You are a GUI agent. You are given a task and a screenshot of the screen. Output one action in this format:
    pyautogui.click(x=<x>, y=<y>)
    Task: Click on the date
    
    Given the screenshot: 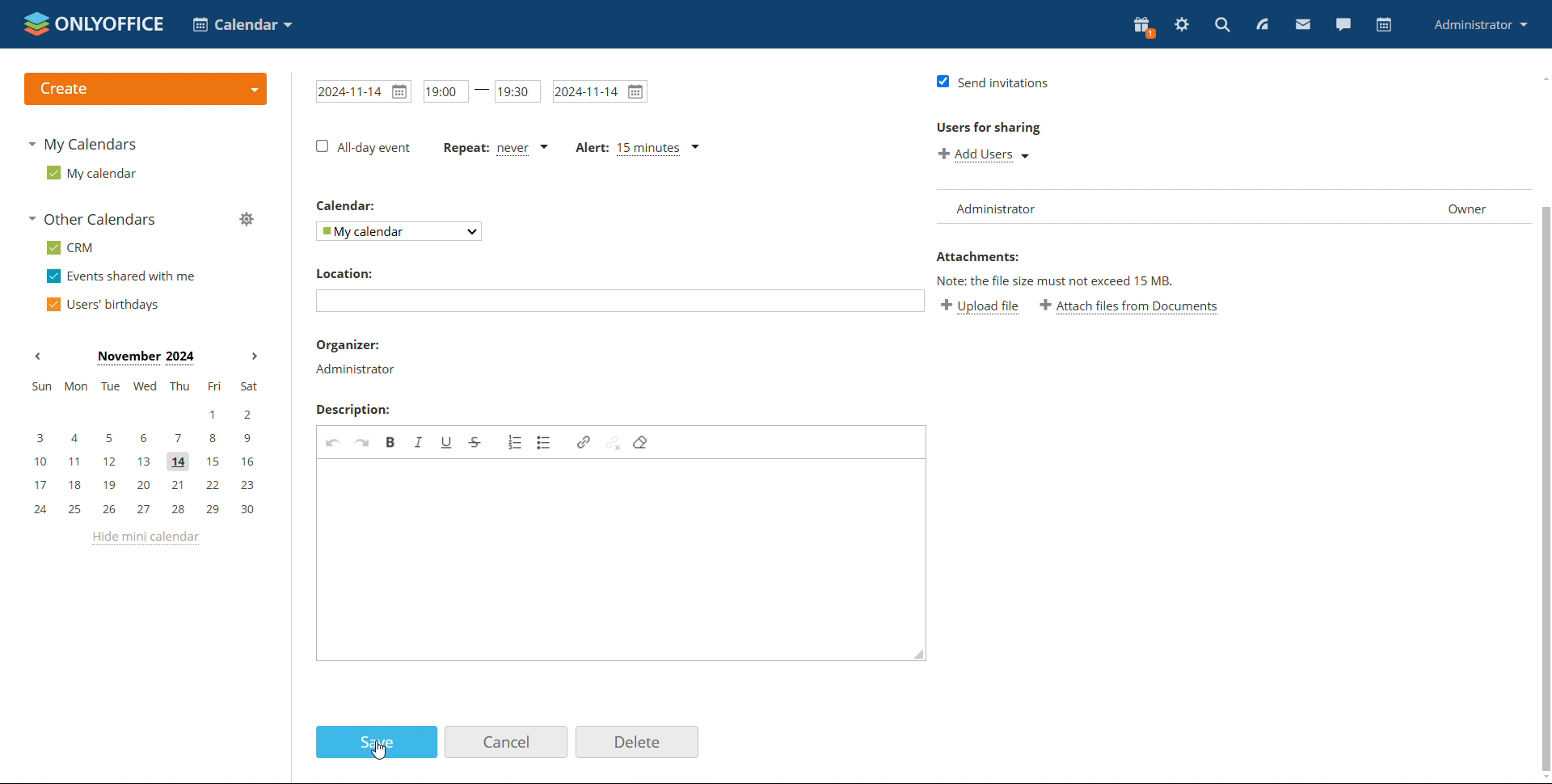 What is the action you would take?
    pyautogui.click(x=605, y=91)
    